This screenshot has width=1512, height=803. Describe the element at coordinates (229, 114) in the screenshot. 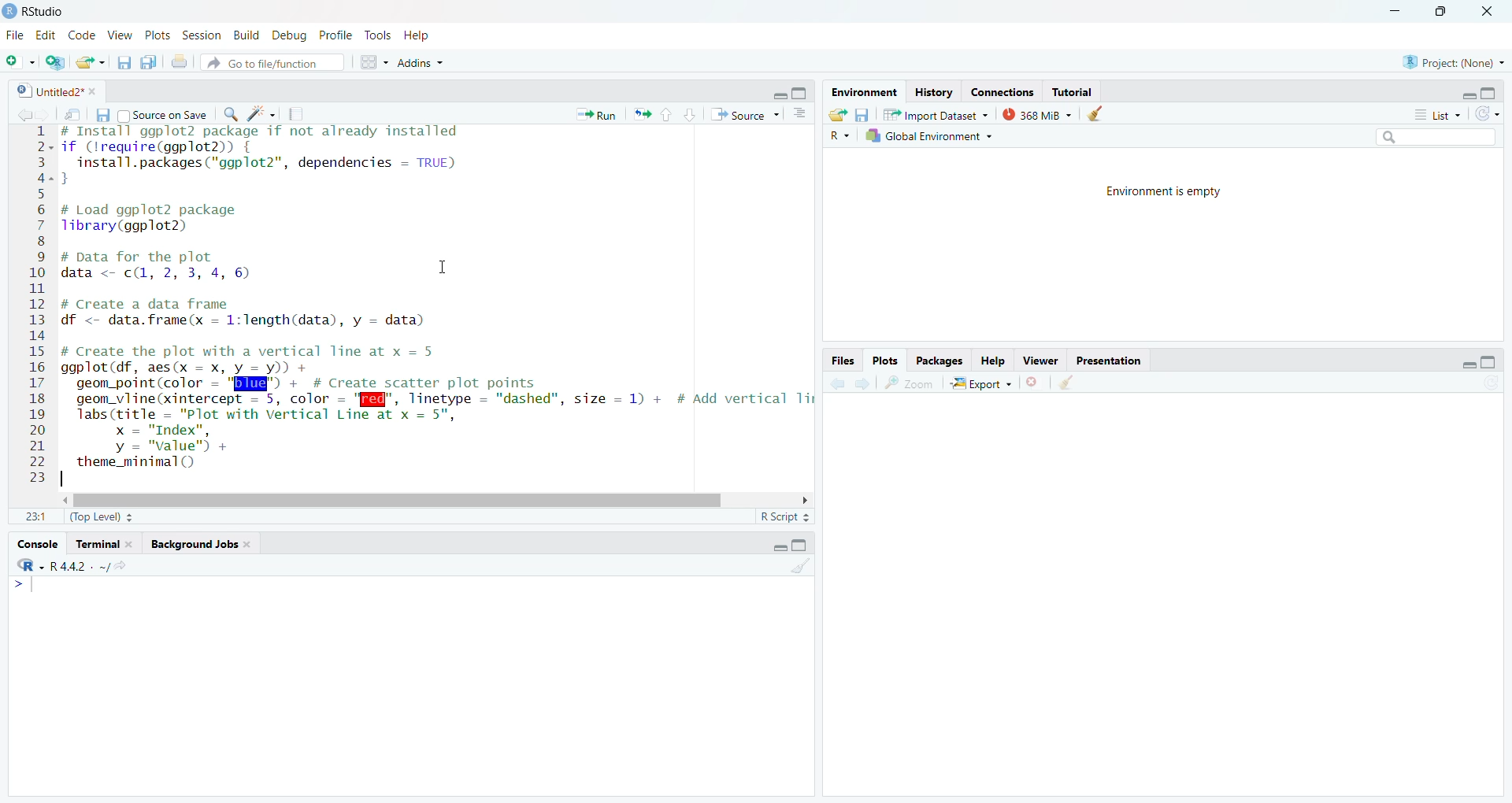

I see `search` at that location.